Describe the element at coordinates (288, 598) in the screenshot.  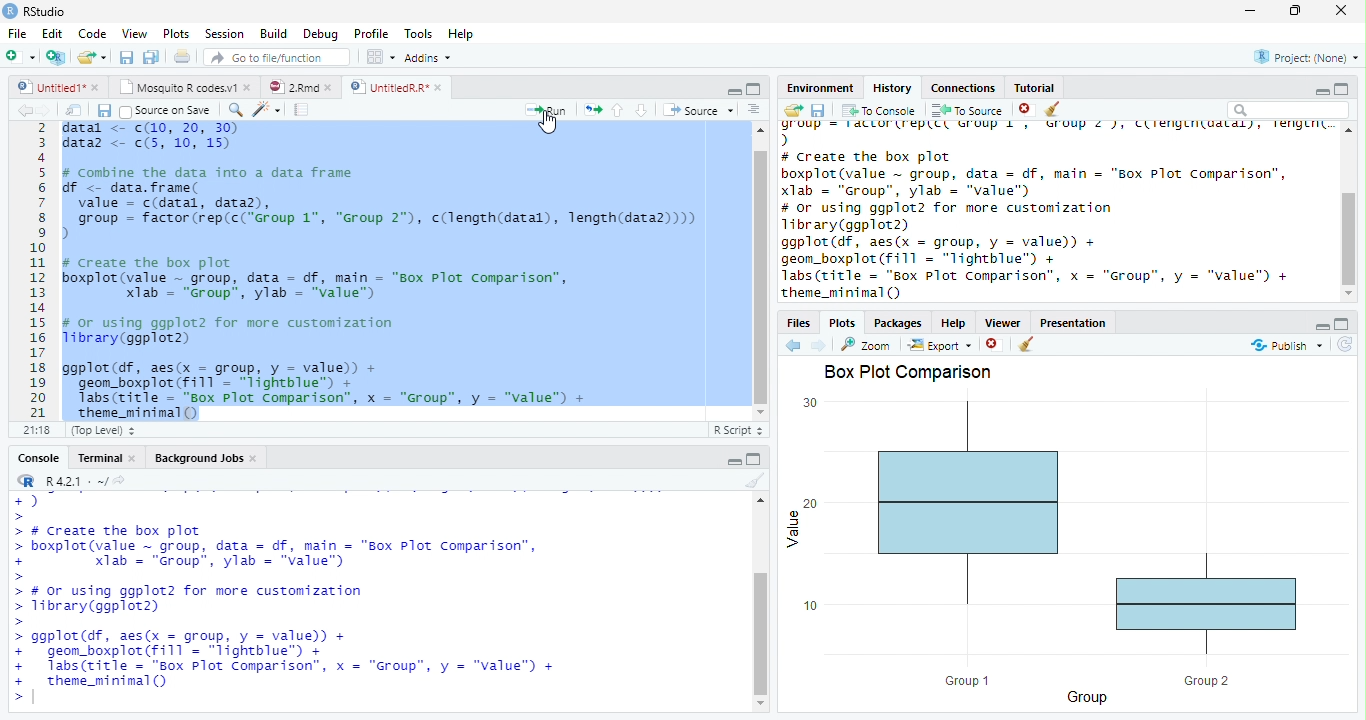
I see `+)

>

> # create the box plot

> boxplot(value ~ group, data = df, main = “Box Plot Comparison”,
+ X1ab = "Group", ylab = "Value"

>

> # or using ggplot2 for more customization

> library(ggpiot2)

>

> ggplot(df, aes(x = group, y = value)) +

+ geom_boxplot(fill = “lightblue) +

+ Tabs(ritle = "Box Plot Comparison”, x = “Group”, y = "value") +
+ theme_minimal()

> 1` at that location.